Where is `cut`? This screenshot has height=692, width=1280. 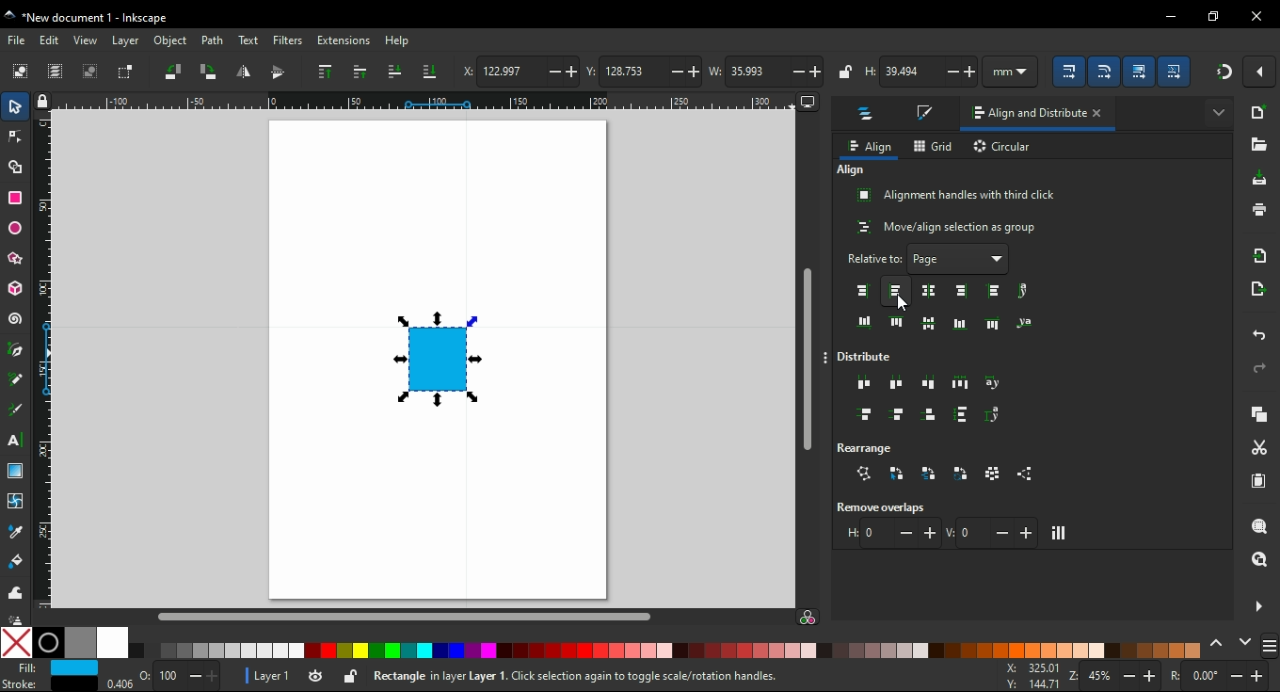
cut is located at coordinates (1259, 446).